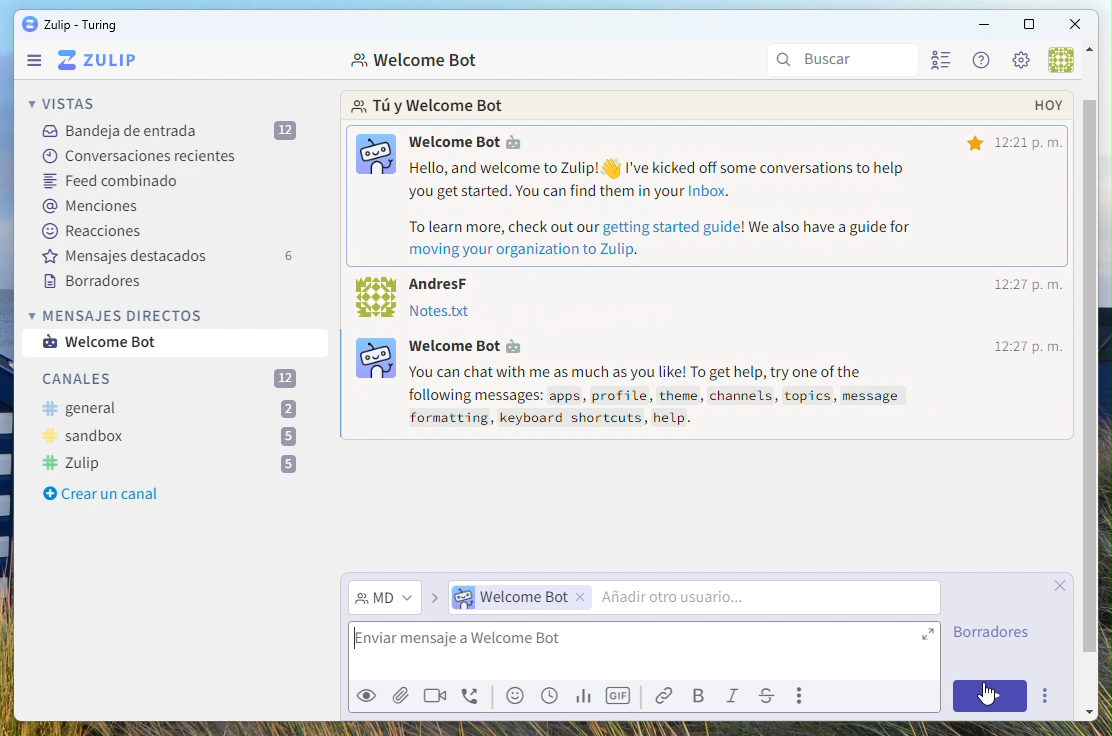 The width and height of the screenshot is (1112, 736). I want to click on General, so click(169, 410).